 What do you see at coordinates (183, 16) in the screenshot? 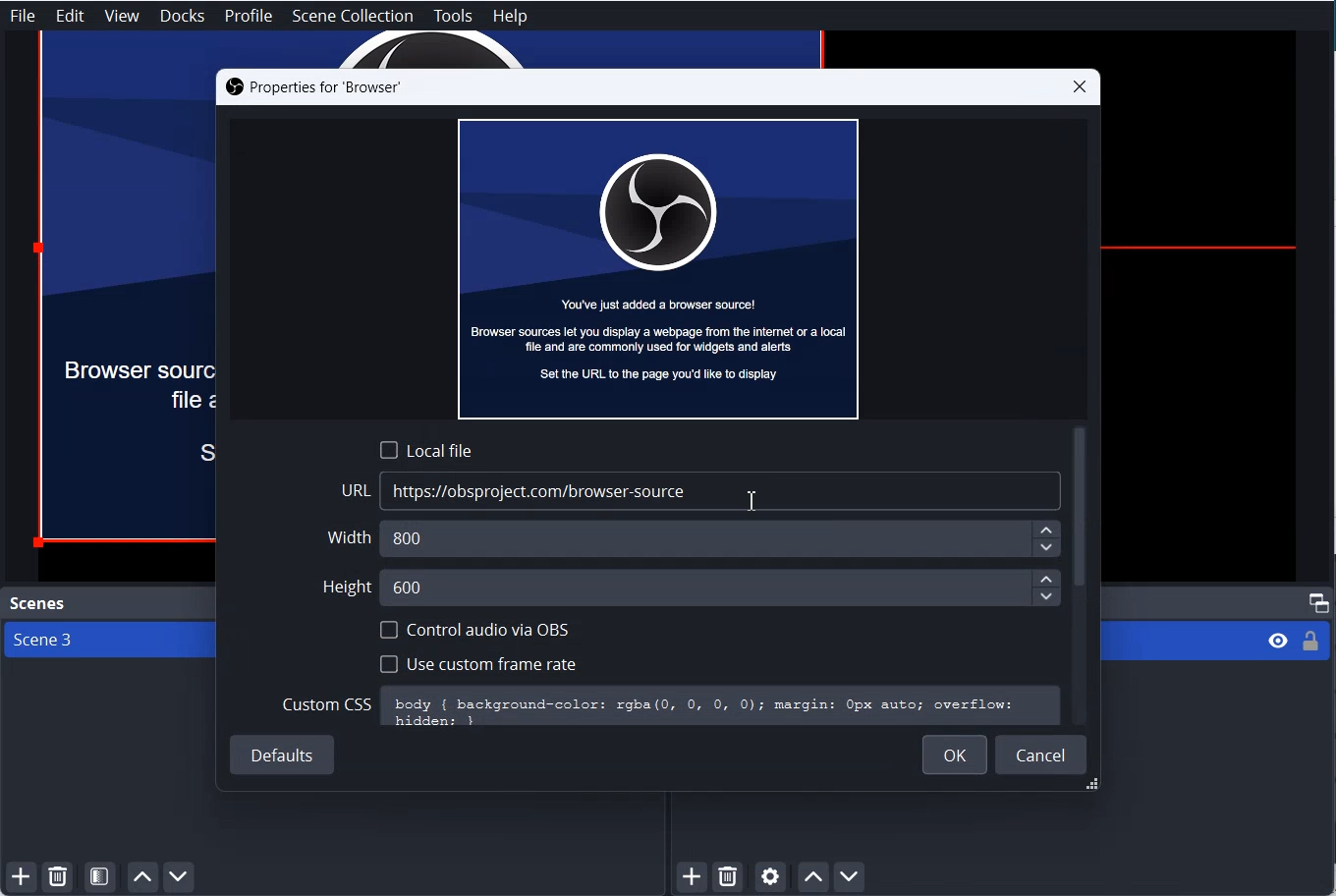
I see `Docks` at bounding box center [183, 16].